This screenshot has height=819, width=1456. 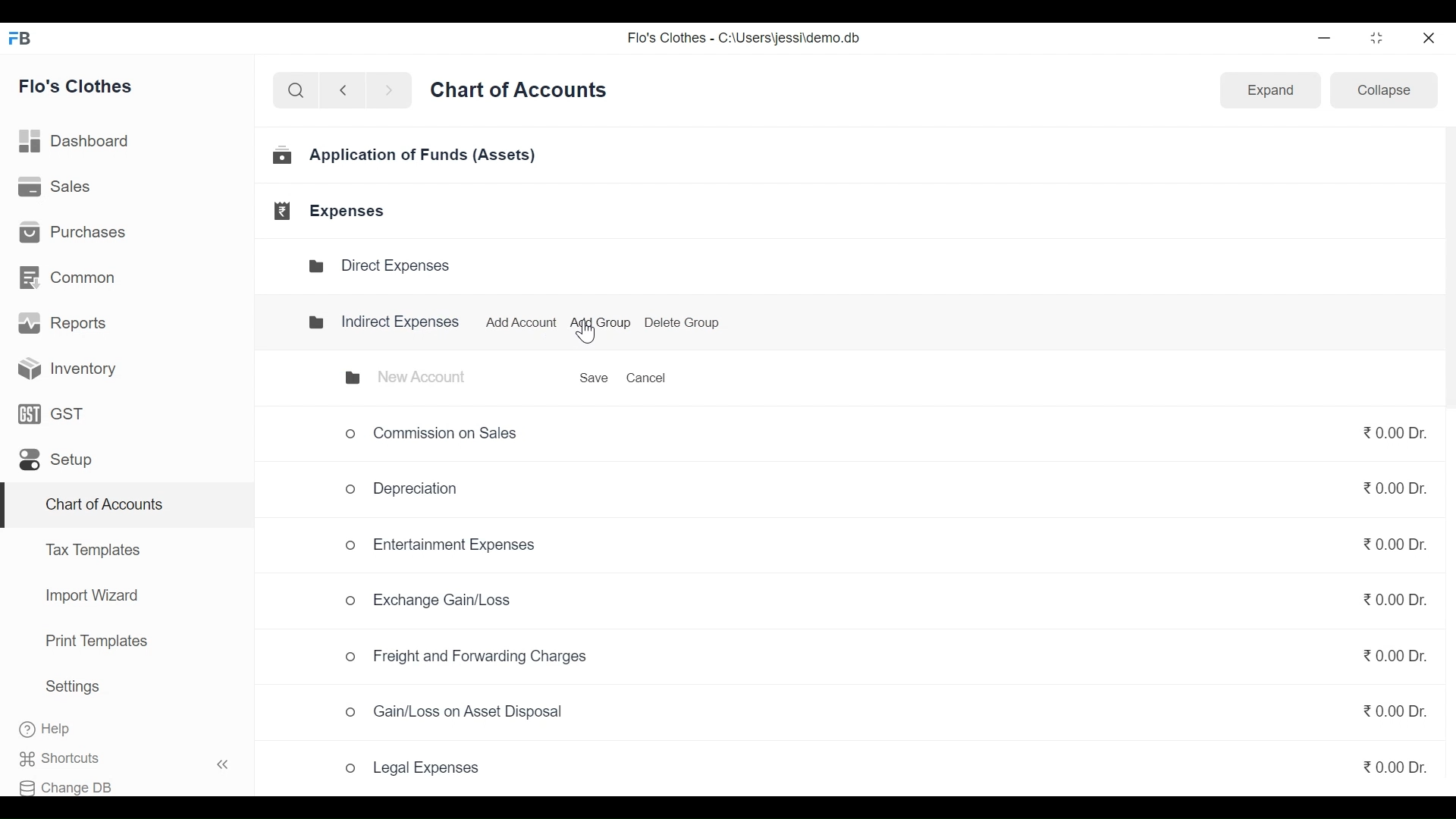 What do you see at coordinates (56, 188) in the screenshot?
I see `Sales` at bounding box center [56, 188].